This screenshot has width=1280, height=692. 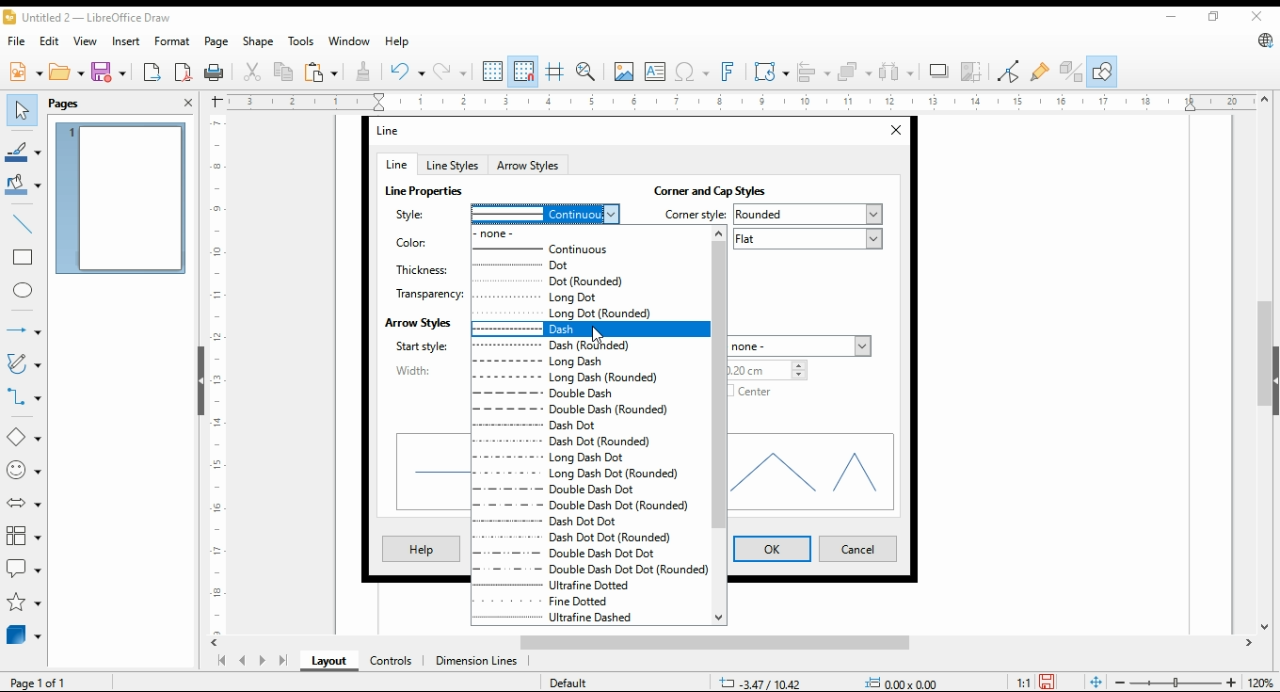 I want to click on page, so click(x=219, y=41).